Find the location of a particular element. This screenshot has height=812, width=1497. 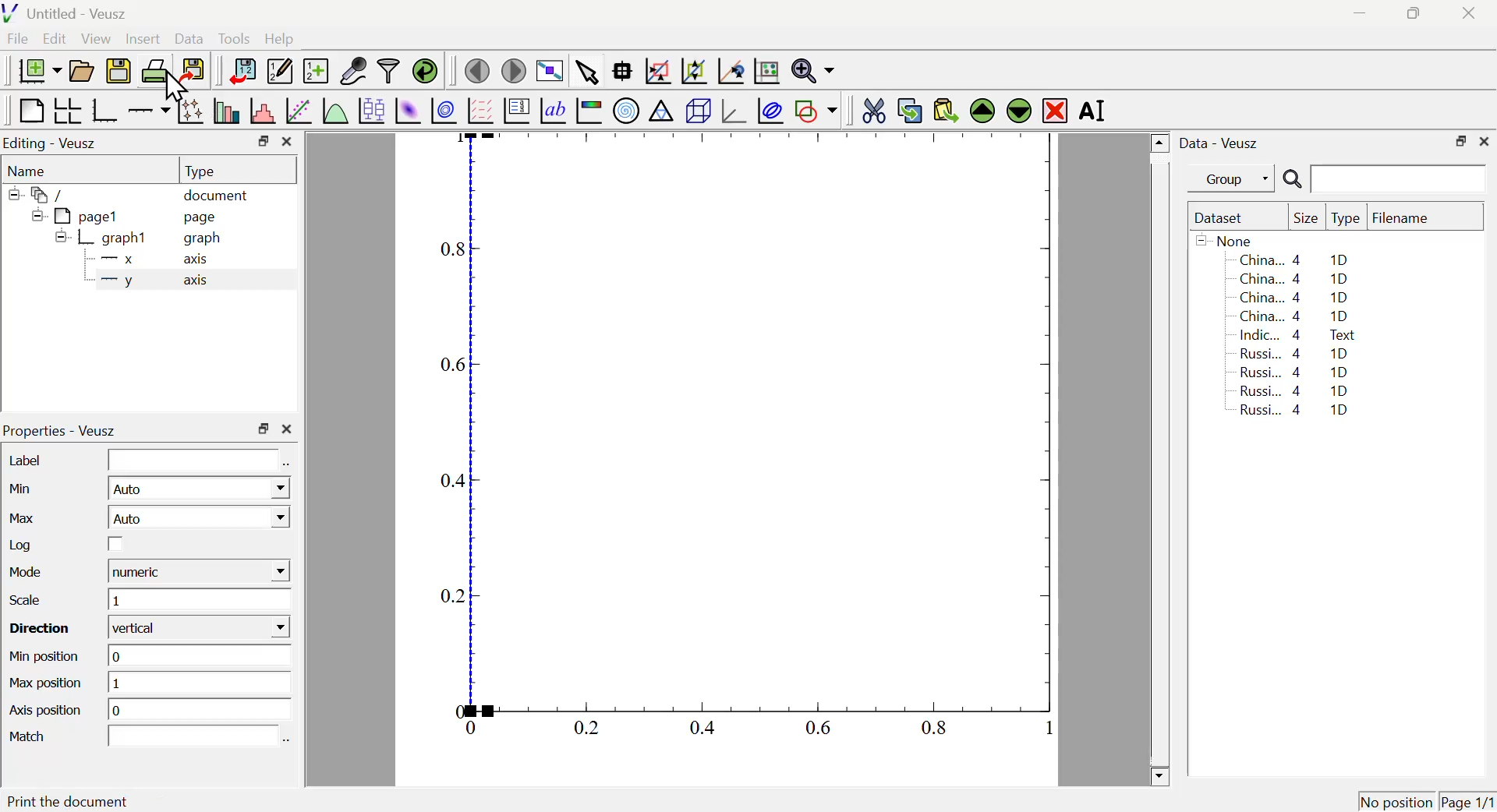

Size is located at coordinates (1306, 219).